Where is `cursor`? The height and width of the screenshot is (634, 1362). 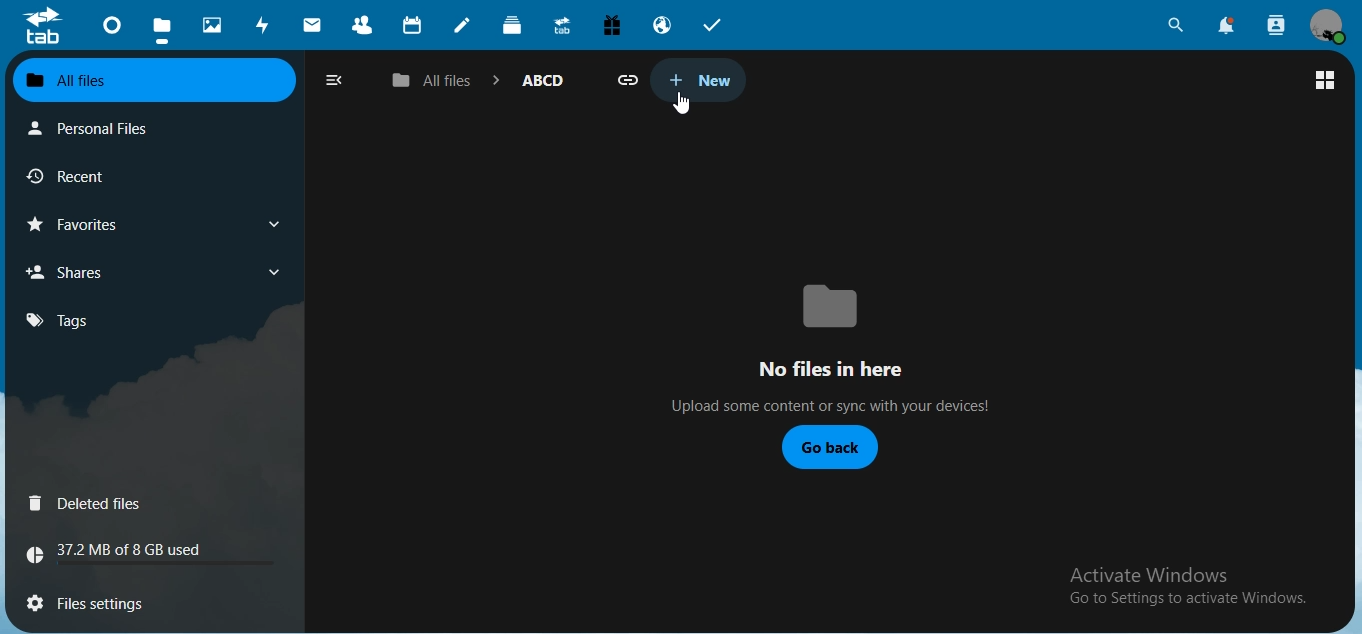
cursor is located at coordinates (681, 103).